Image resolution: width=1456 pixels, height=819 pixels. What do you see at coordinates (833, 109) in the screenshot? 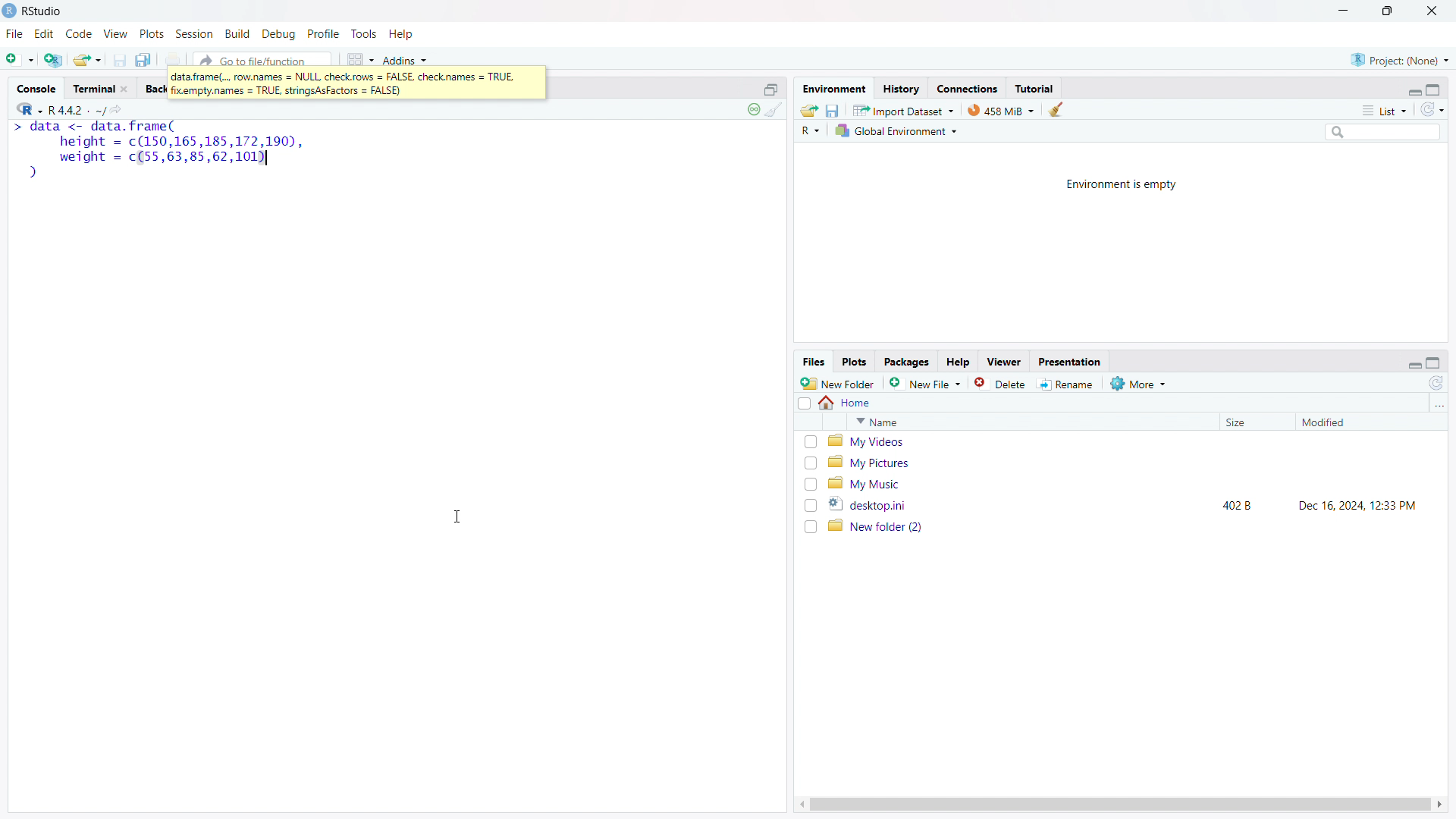
I see `save worksoace as` at bounding box center [833, 109].